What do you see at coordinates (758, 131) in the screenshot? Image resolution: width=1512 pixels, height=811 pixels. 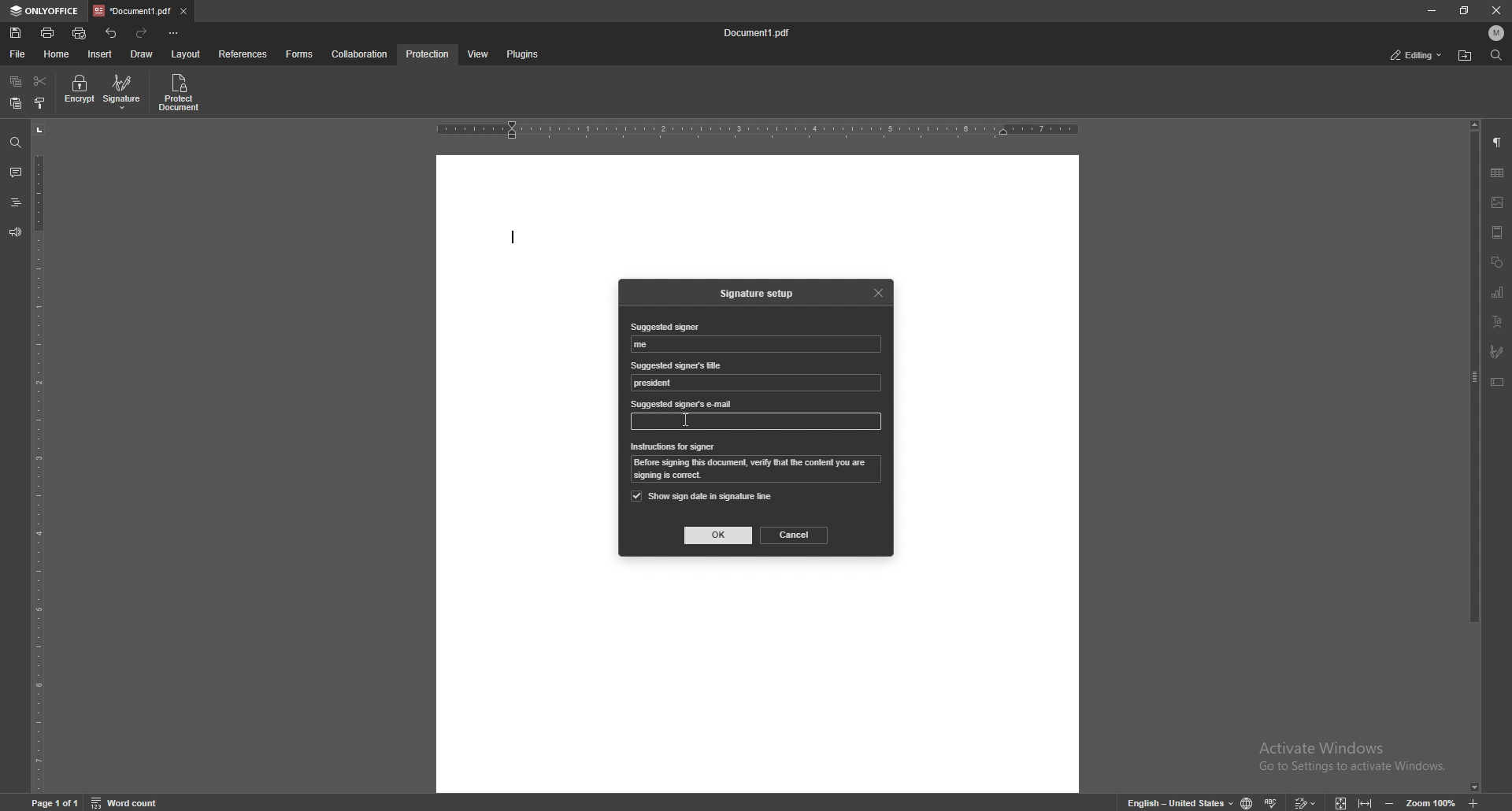 I see `horizontal scale` at bounding box center [758, 131].